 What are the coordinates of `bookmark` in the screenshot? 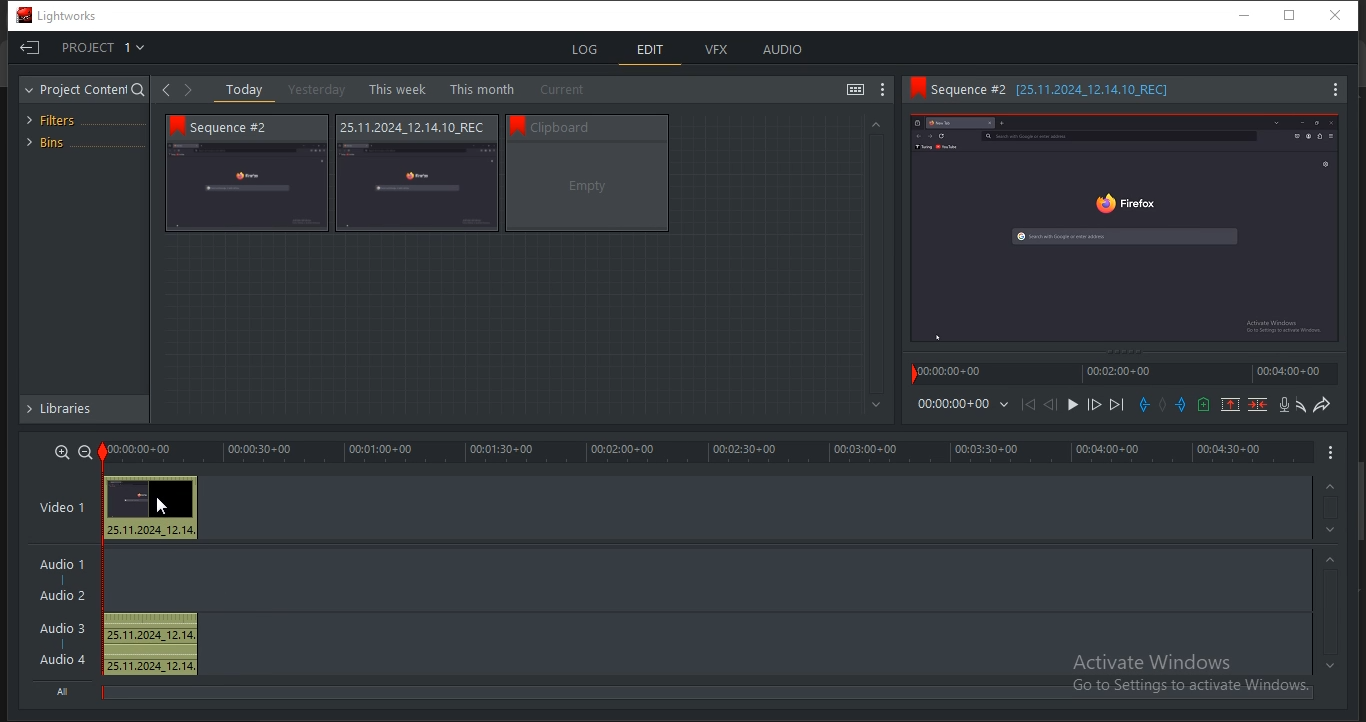 It's located at (517, 124).